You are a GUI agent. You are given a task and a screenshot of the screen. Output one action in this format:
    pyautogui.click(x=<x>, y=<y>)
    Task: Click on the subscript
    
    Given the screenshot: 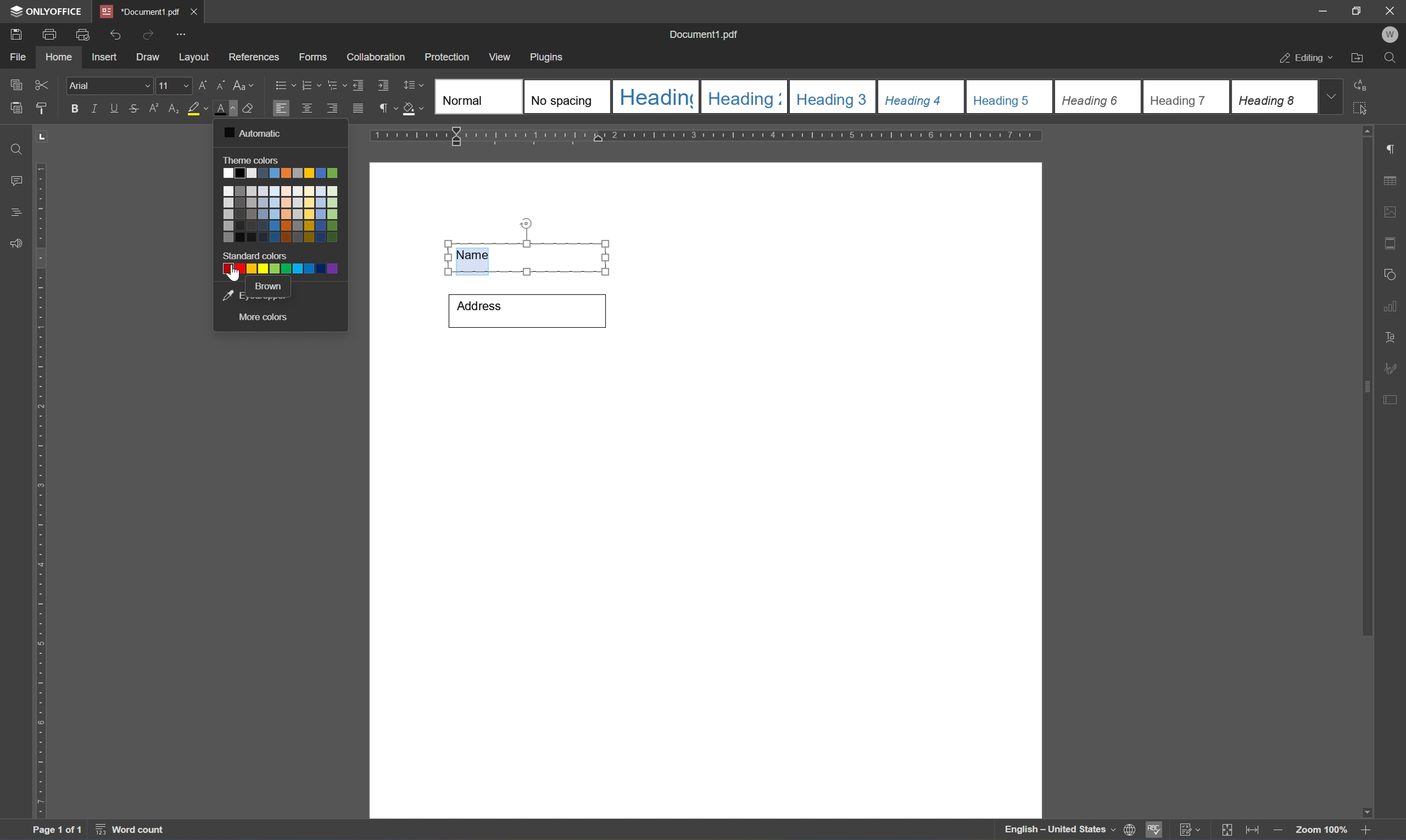 What is the action you would take?
    pyautogui.click(x=172, y=107)
    